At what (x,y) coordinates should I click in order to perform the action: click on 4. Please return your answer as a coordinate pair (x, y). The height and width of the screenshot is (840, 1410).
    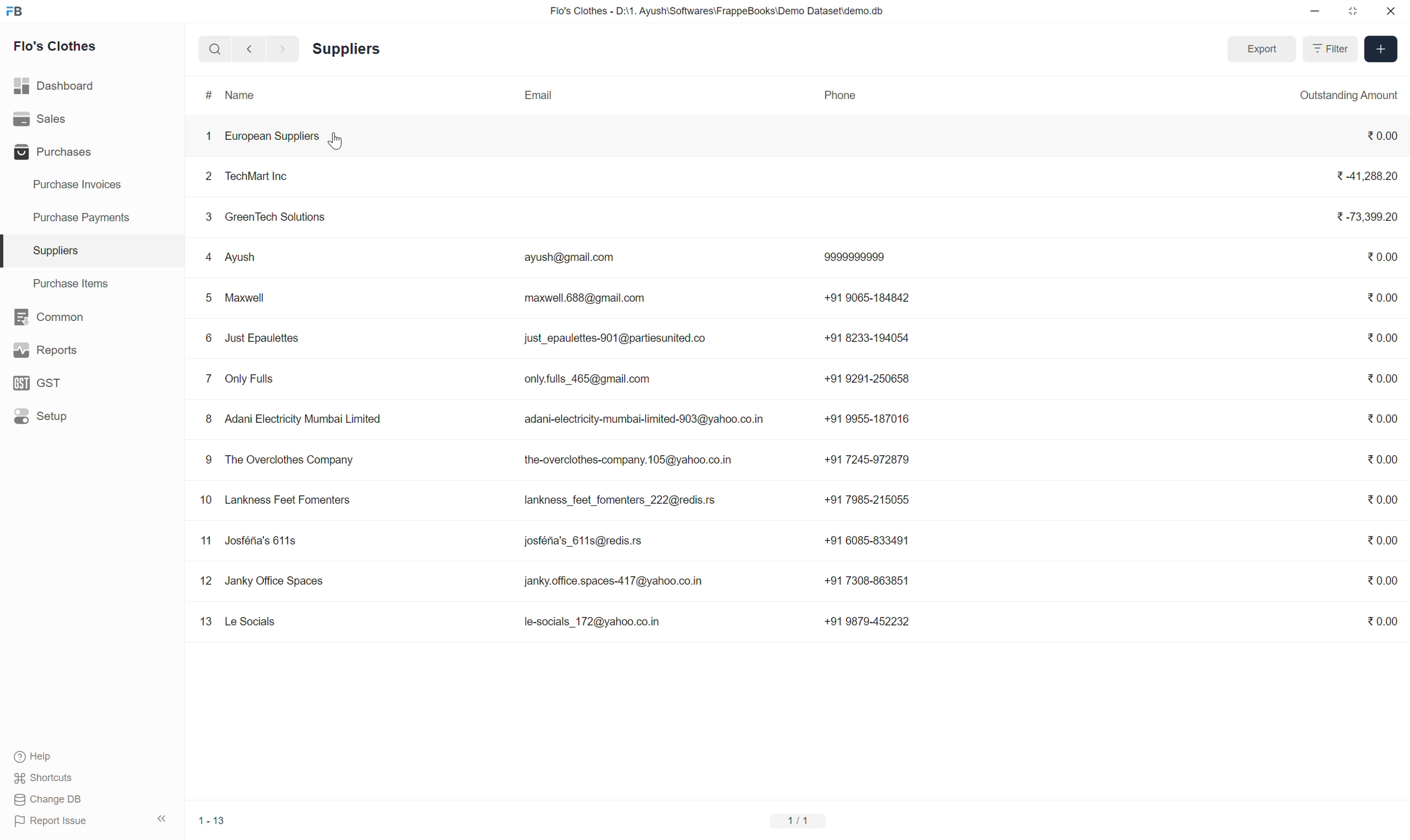
    Looking at the image, I should click on (208, 257).